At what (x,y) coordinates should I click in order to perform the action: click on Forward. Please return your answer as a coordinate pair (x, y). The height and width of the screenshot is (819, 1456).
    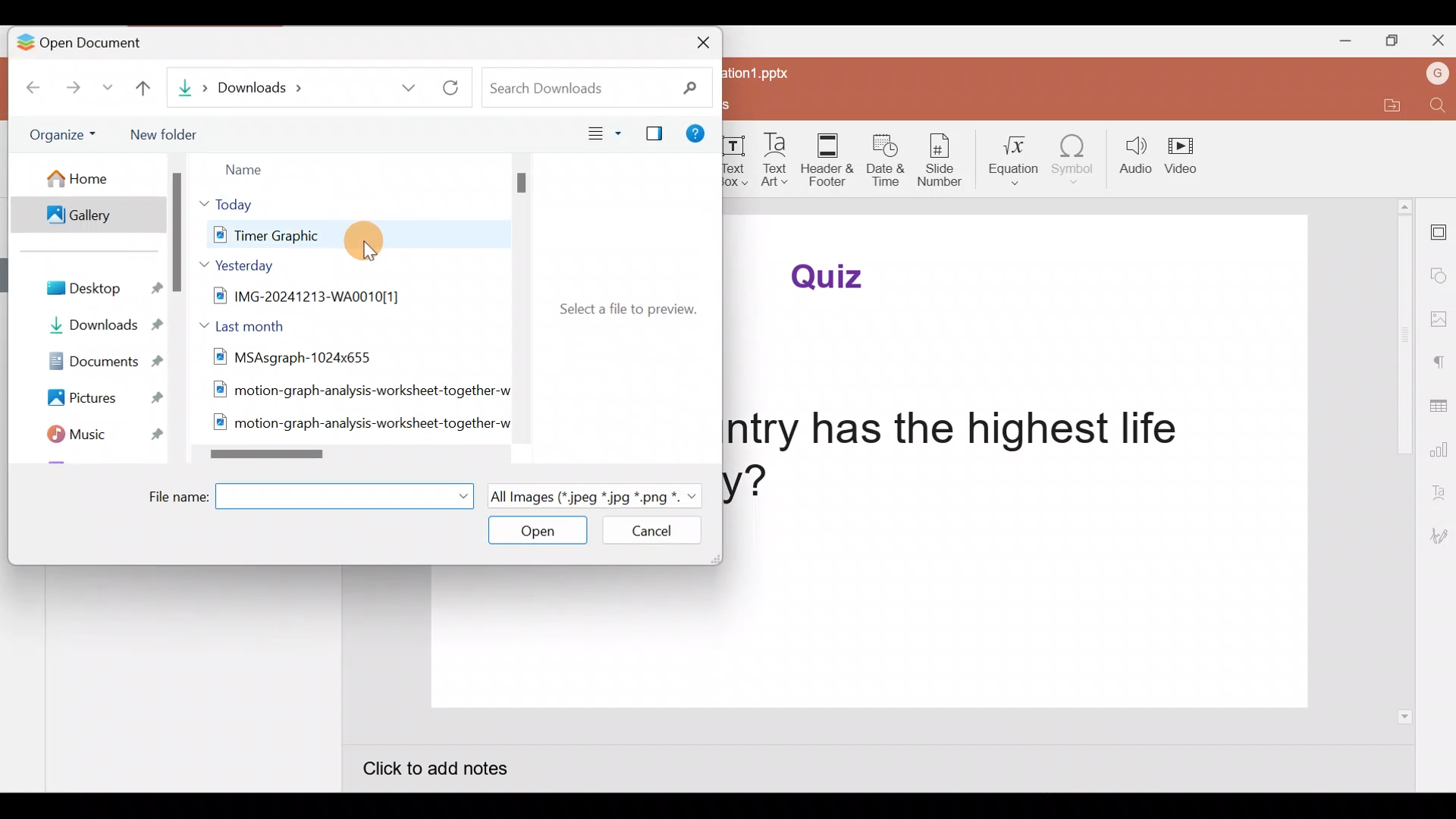
    Looking at the image, I should click on (77, 91).